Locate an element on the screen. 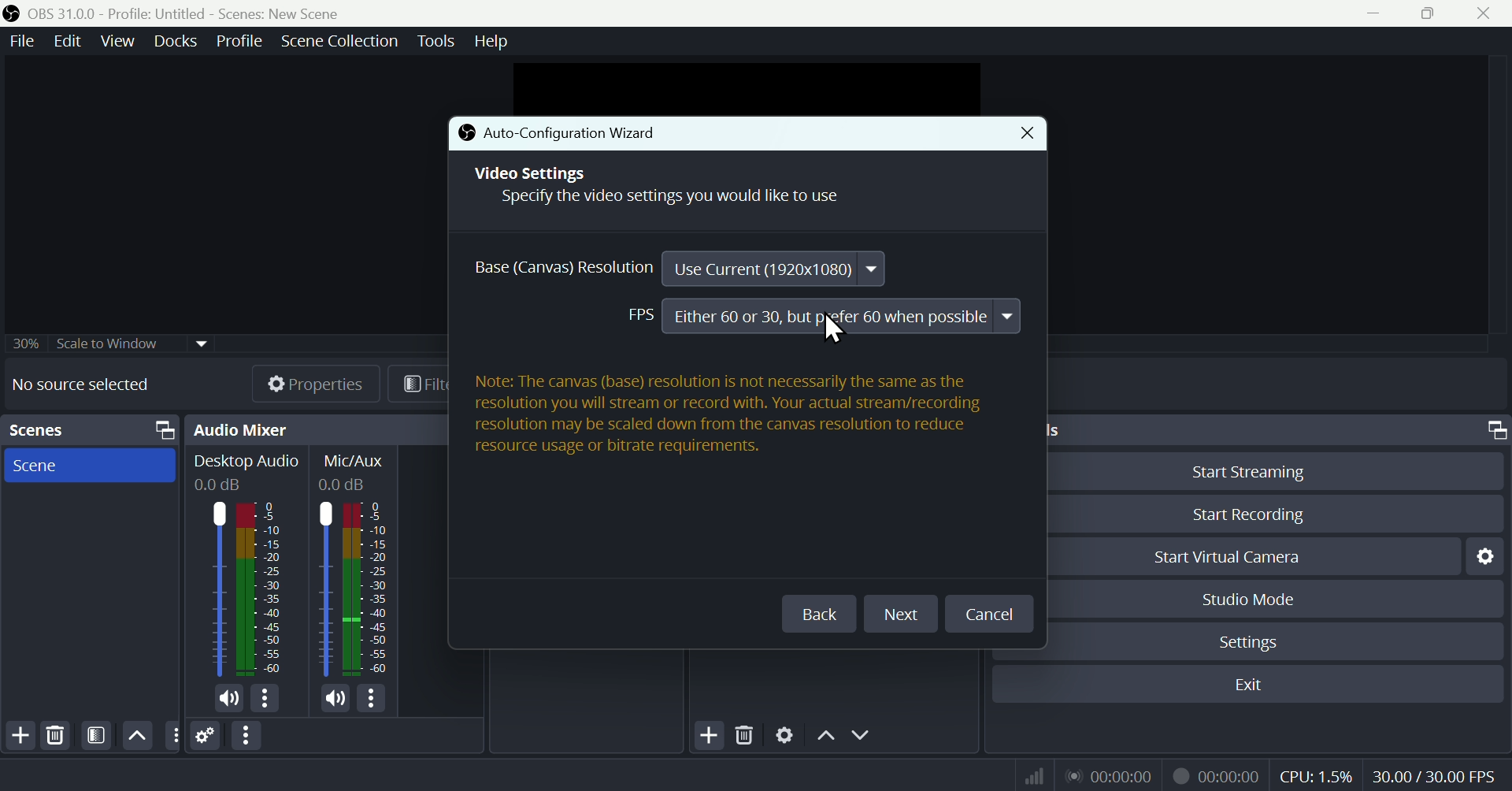 The width and height of the screenshot is (1512, 791). Studio Mode is located at coordinates (1275, 598).